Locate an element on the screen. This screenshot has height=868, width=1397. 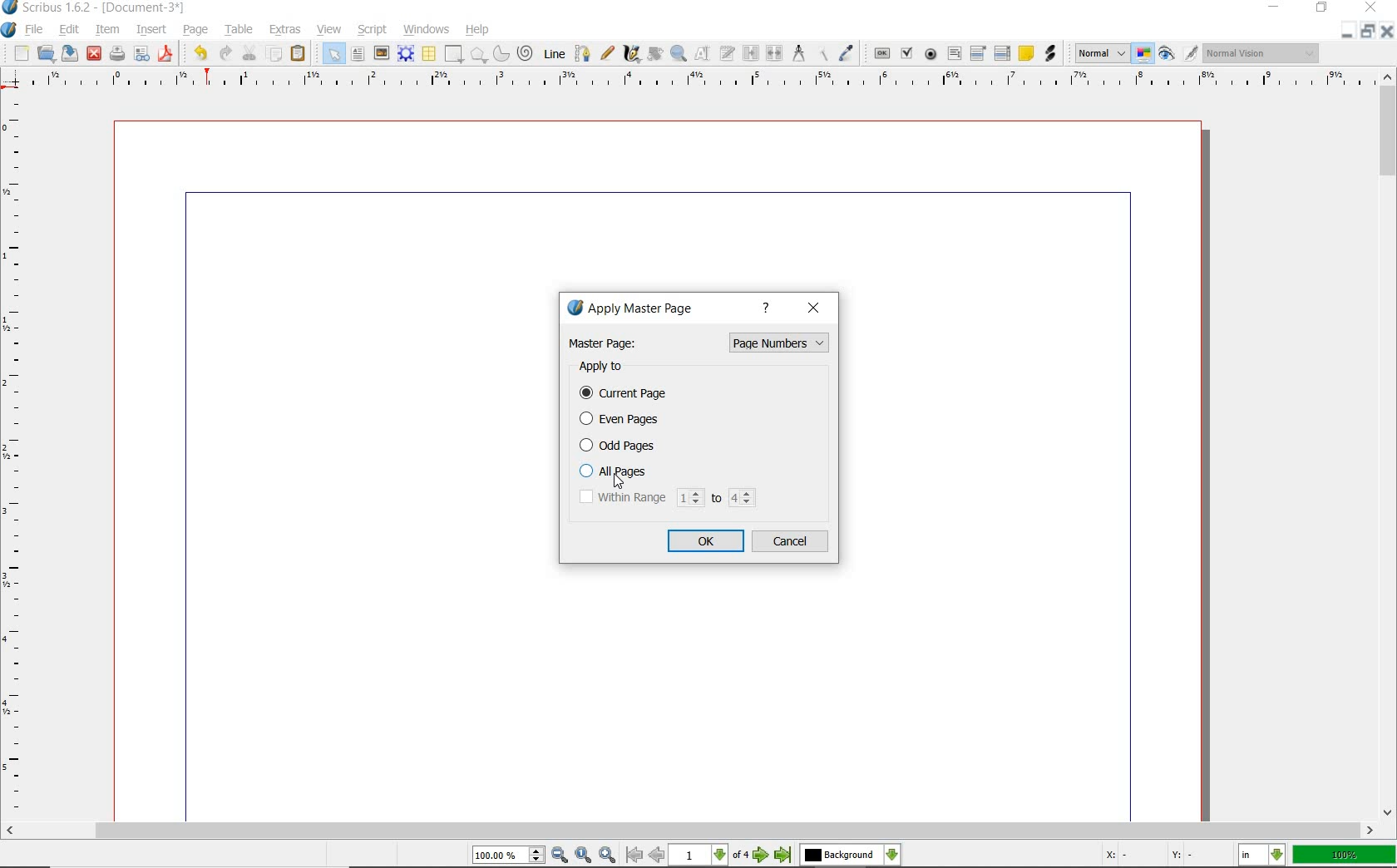
select the current layer is located at coordinates (848, 856).